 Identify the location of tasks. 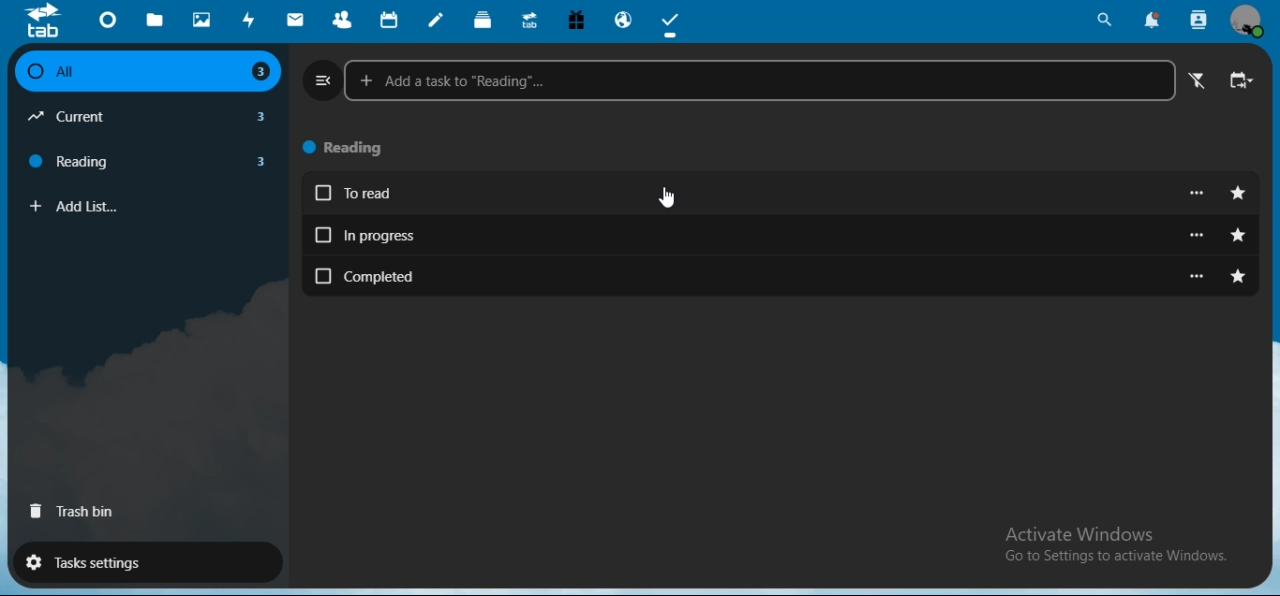
(674, 22).